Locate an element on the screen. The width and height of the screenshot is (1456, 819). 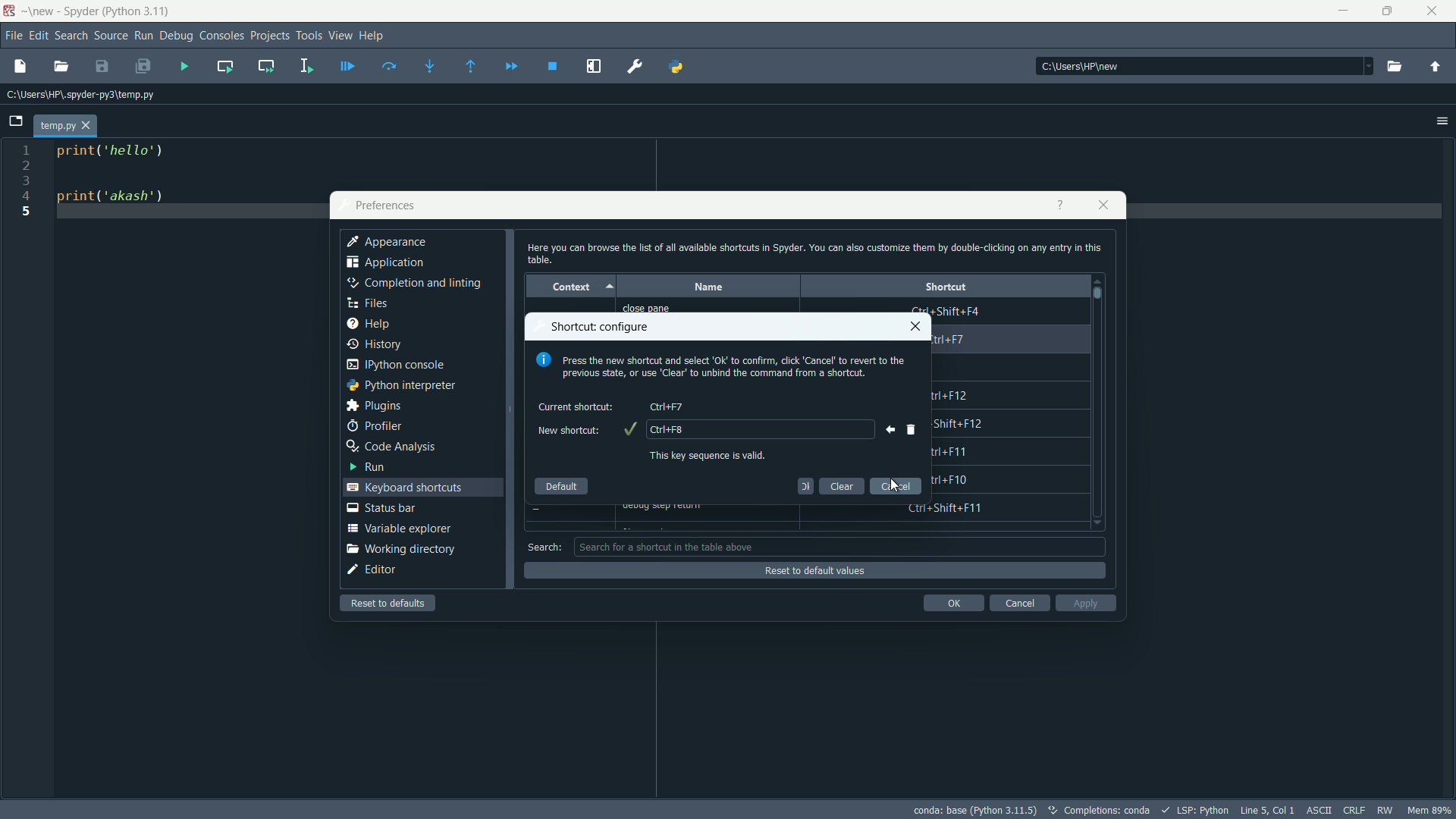
search bar is located at coordinates (840, 546).